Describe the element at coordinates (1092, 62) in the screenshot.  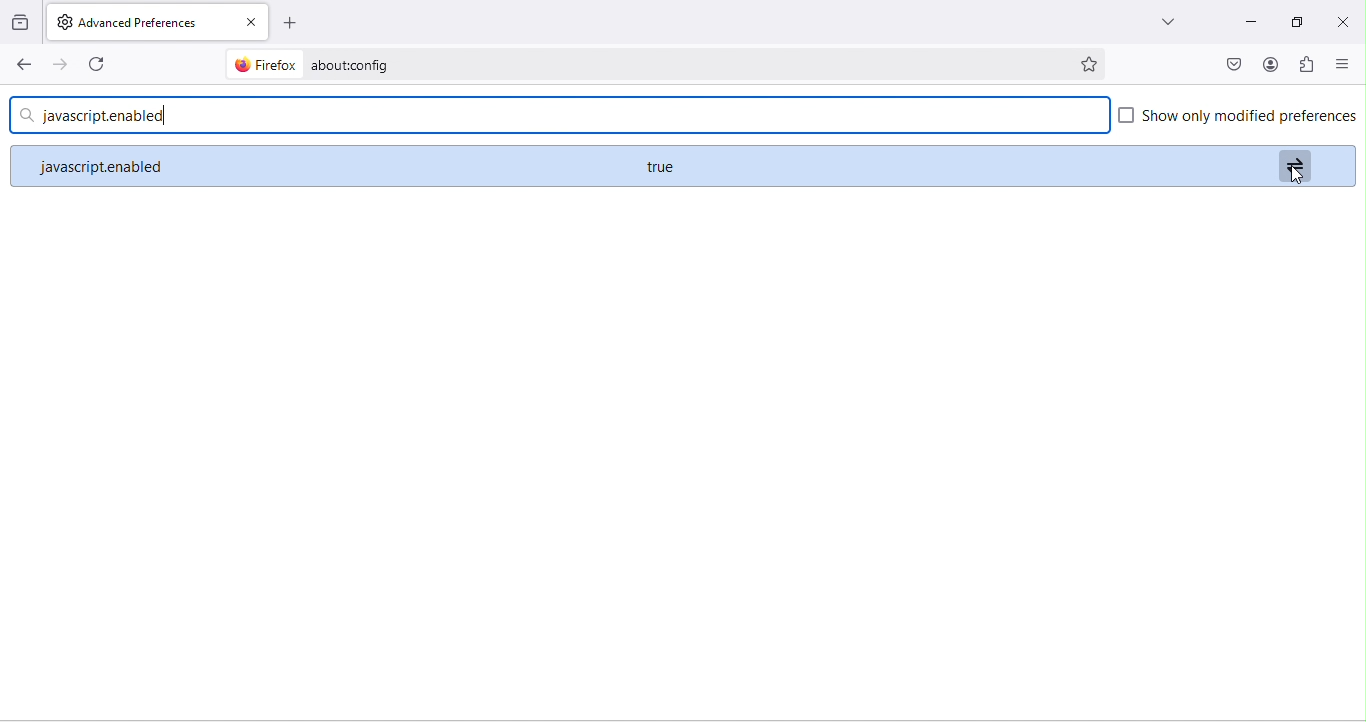
I see `bookmark` at that location.